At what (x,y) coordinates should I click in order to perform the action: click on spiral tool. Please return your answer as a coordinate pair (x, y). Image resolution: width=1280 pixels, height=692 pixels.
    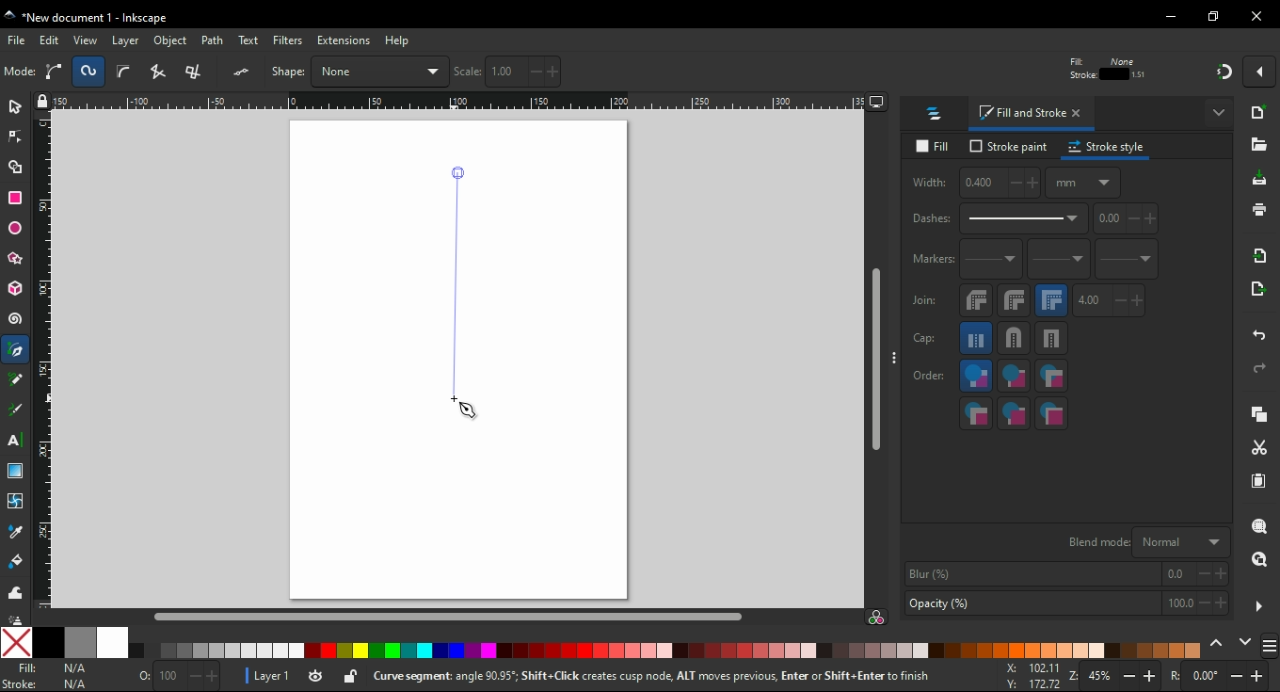
    Looking at the image, I should click on (17, 319).